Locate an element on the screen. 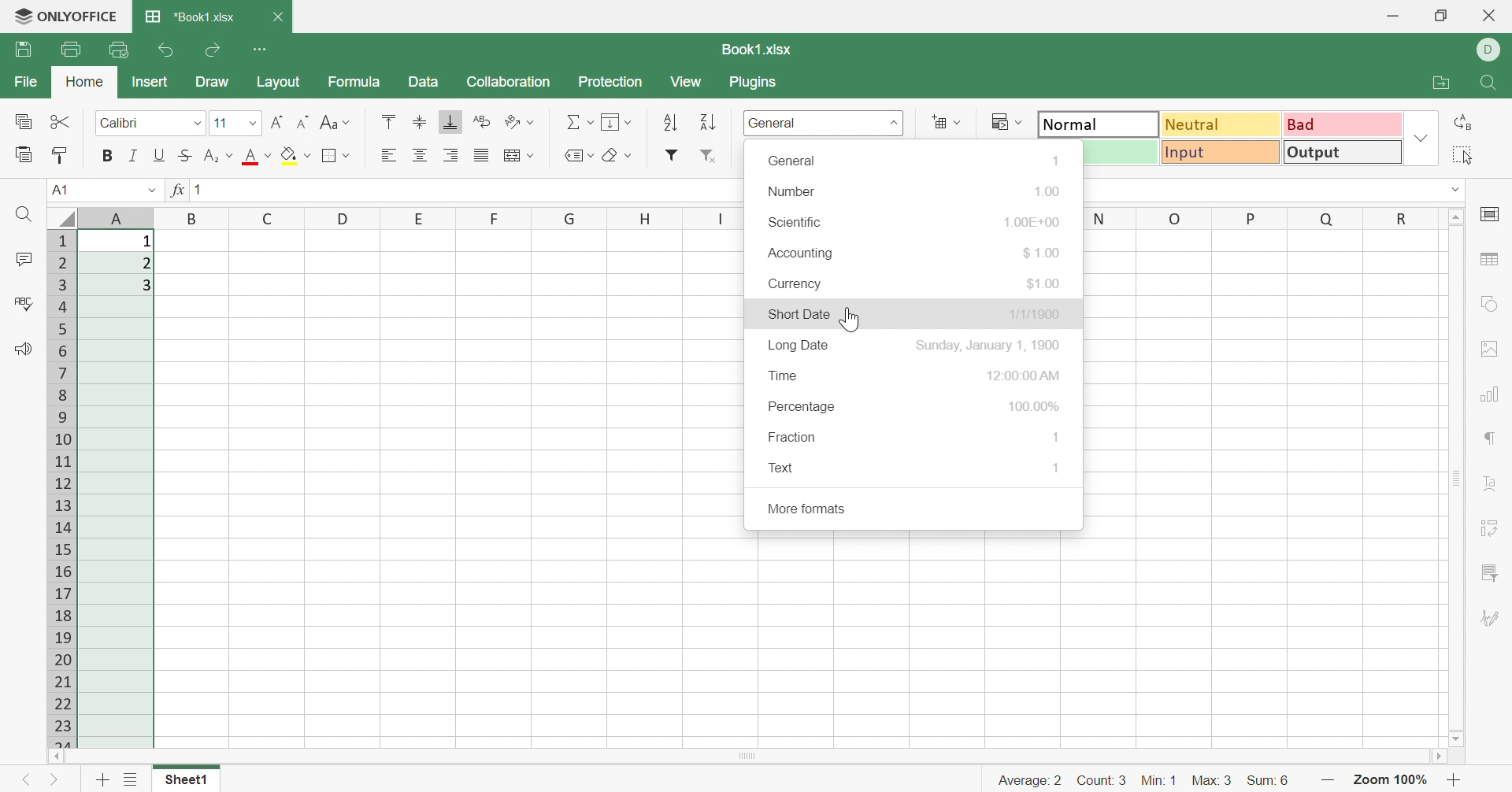  ONLYOFFICE is located at coordinates (81, 14).